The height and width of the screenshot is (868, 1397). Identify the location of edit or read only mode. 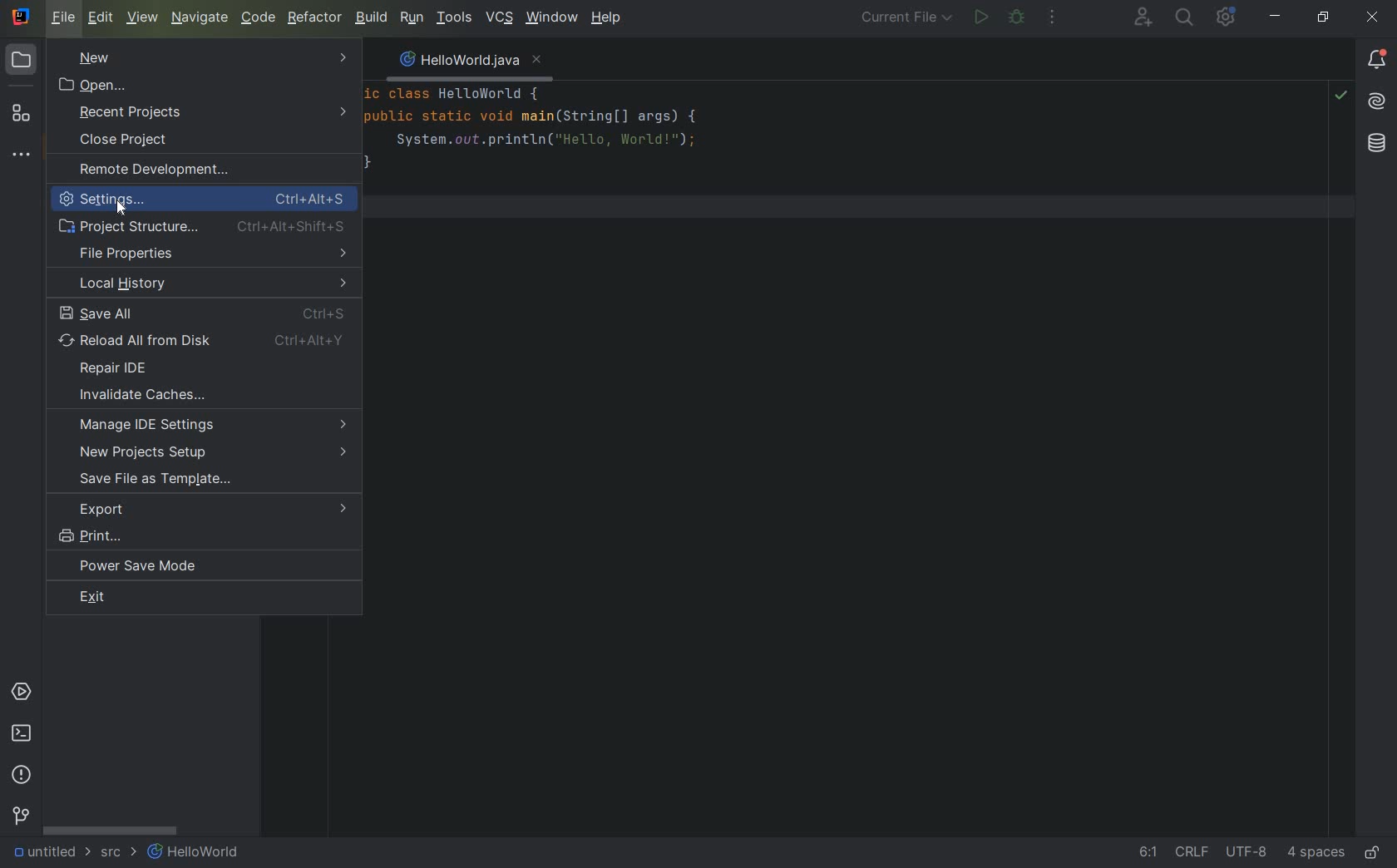
(1376, 850).